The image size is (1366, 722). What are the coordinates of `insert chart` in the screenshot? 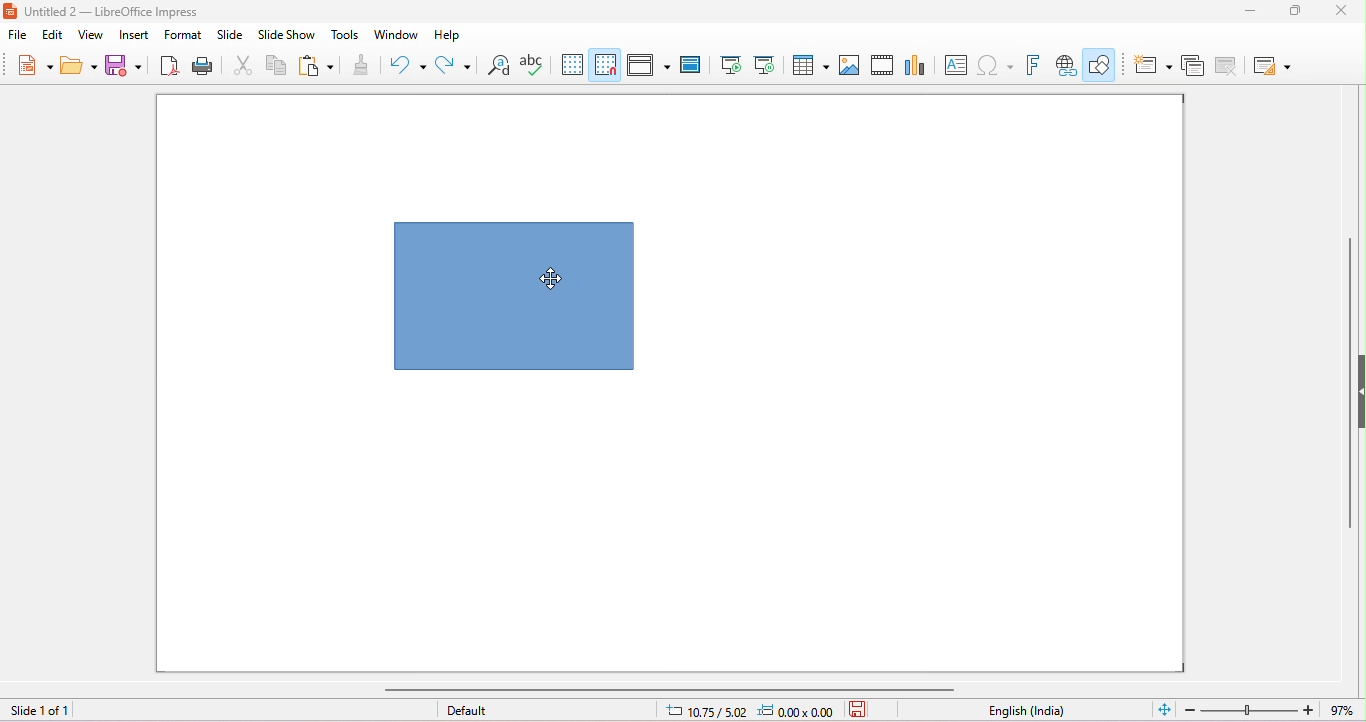 It's located at (914, 64).